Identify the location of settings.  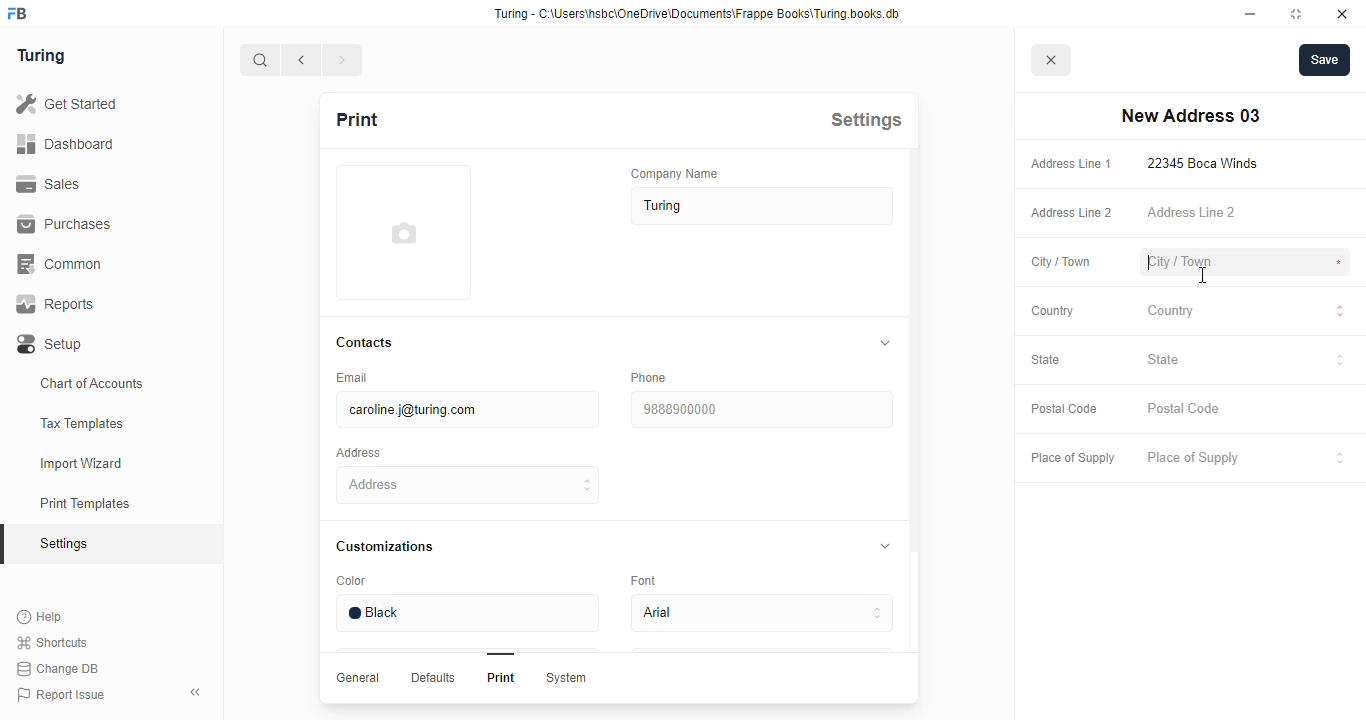
(866, 119).